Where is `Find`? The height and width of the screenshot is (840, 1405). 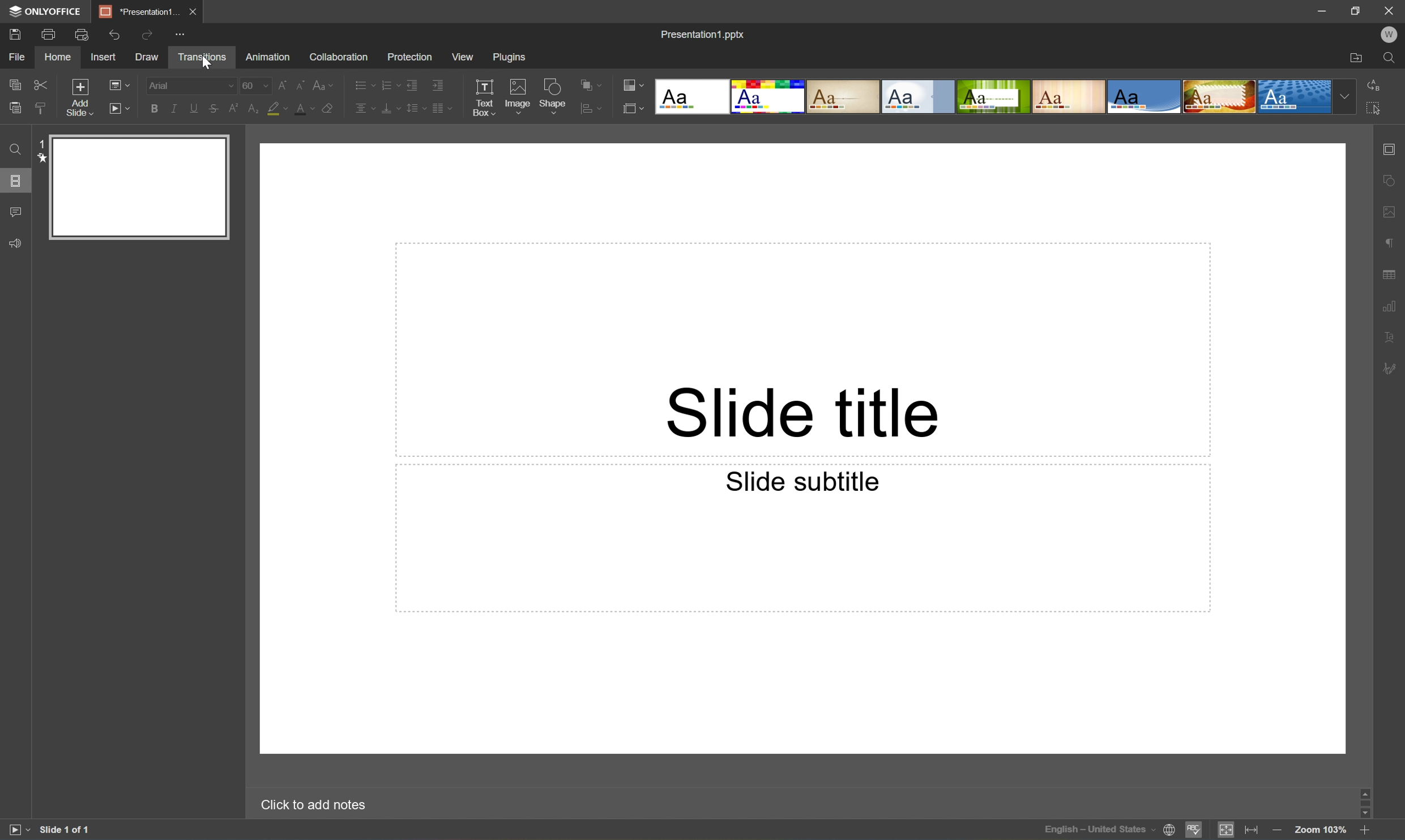
Find is located at coordinates (1393, 58).